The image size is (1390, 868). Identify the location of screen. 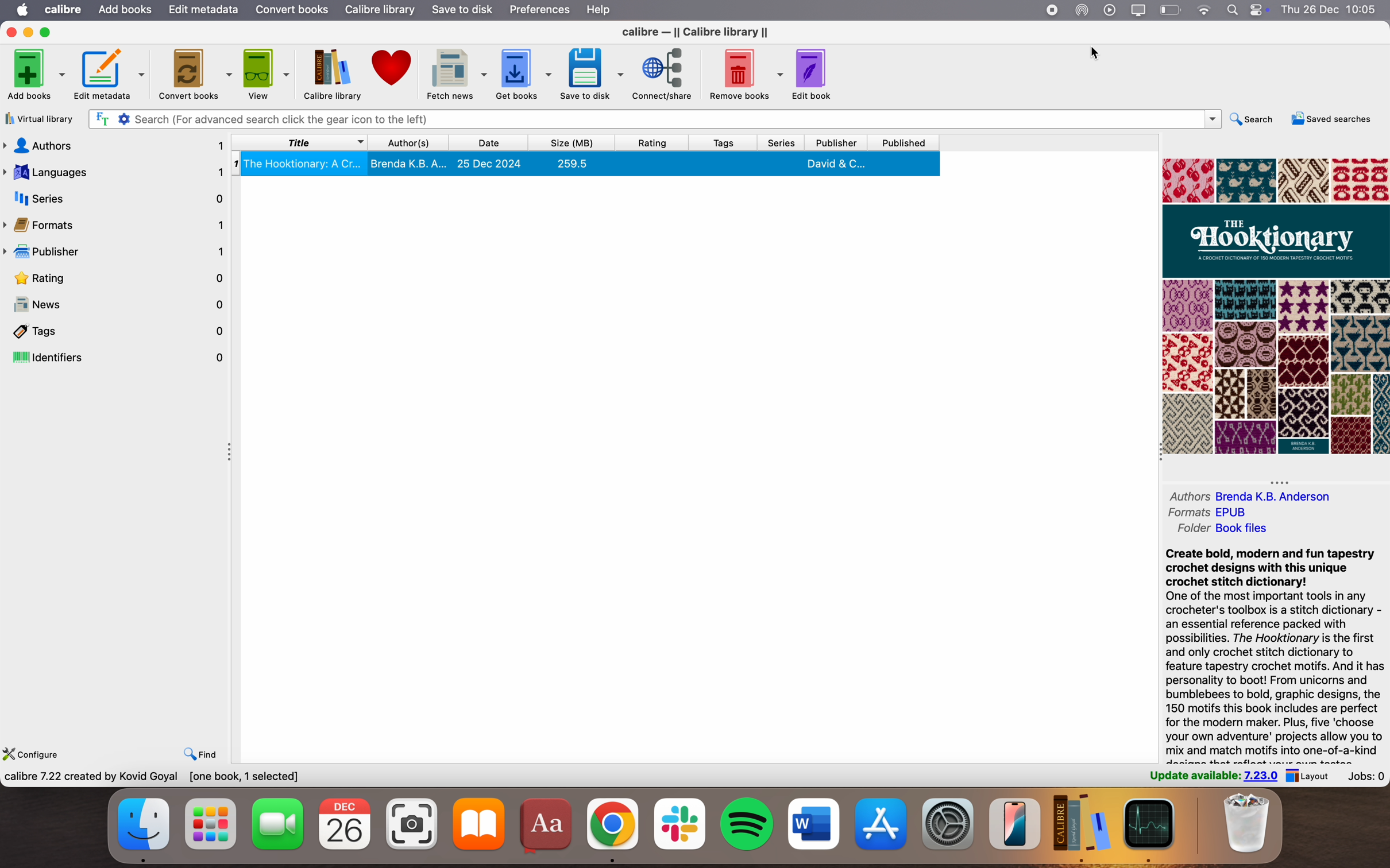
(1139, 10).